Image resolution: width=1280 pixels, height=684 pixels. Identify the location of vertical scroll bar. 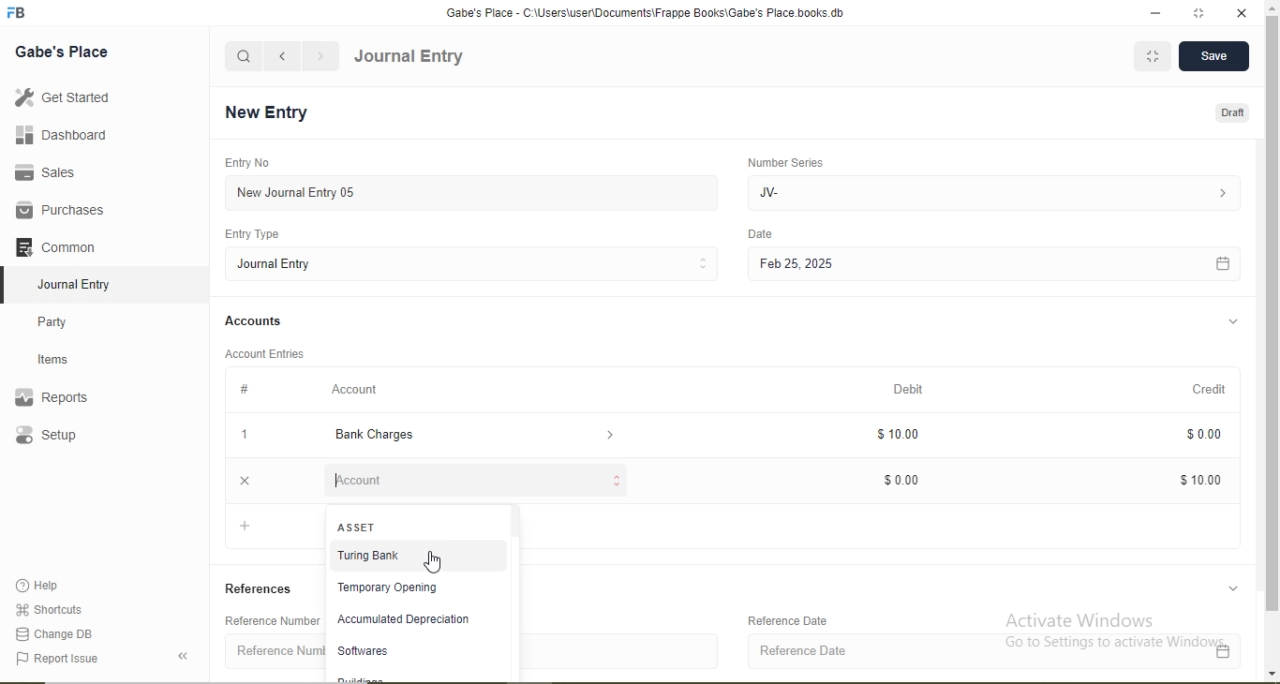
(1272, 340).